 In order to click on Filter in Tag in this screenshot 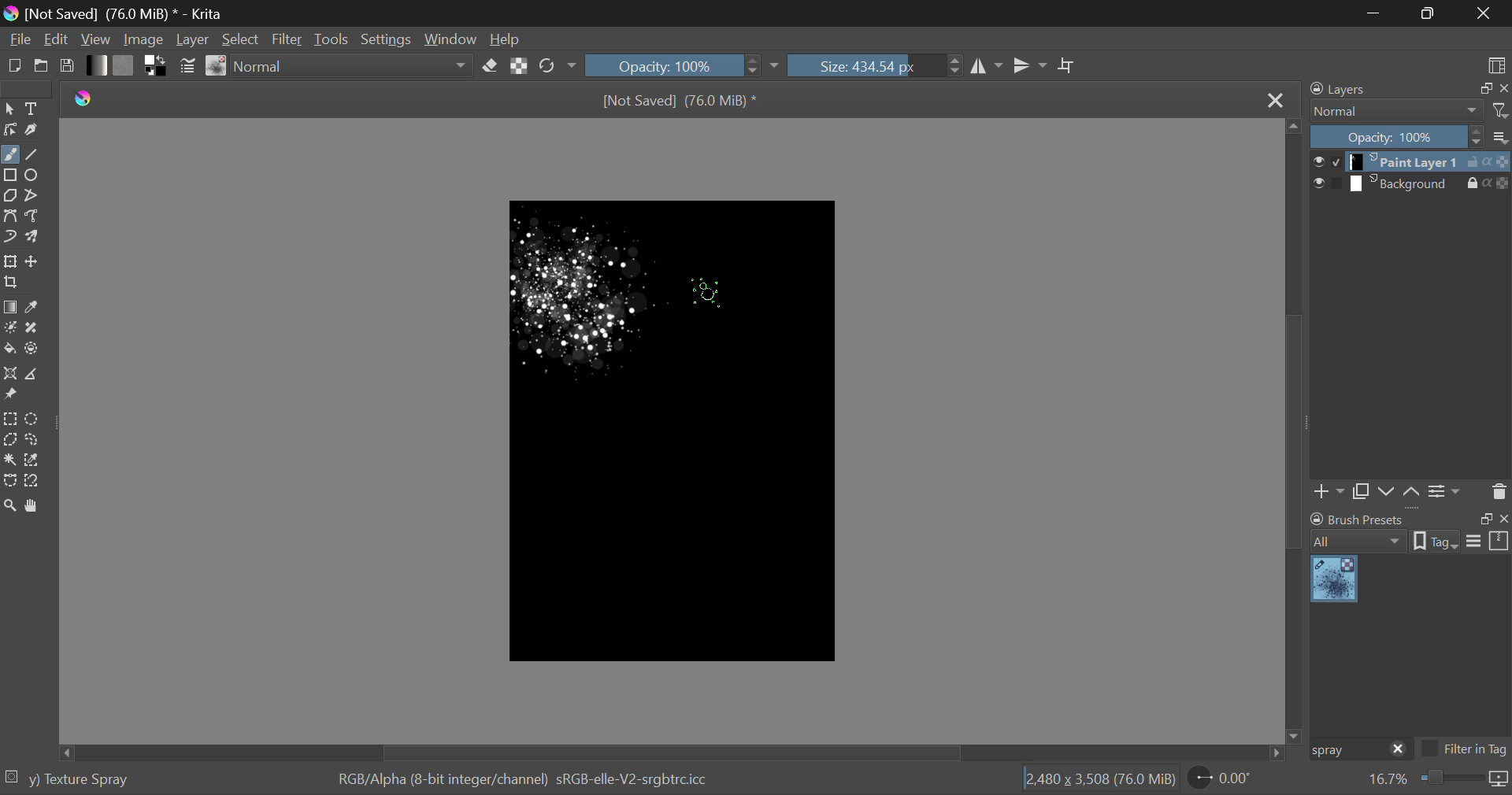, I will do `click(1465, 751)`.